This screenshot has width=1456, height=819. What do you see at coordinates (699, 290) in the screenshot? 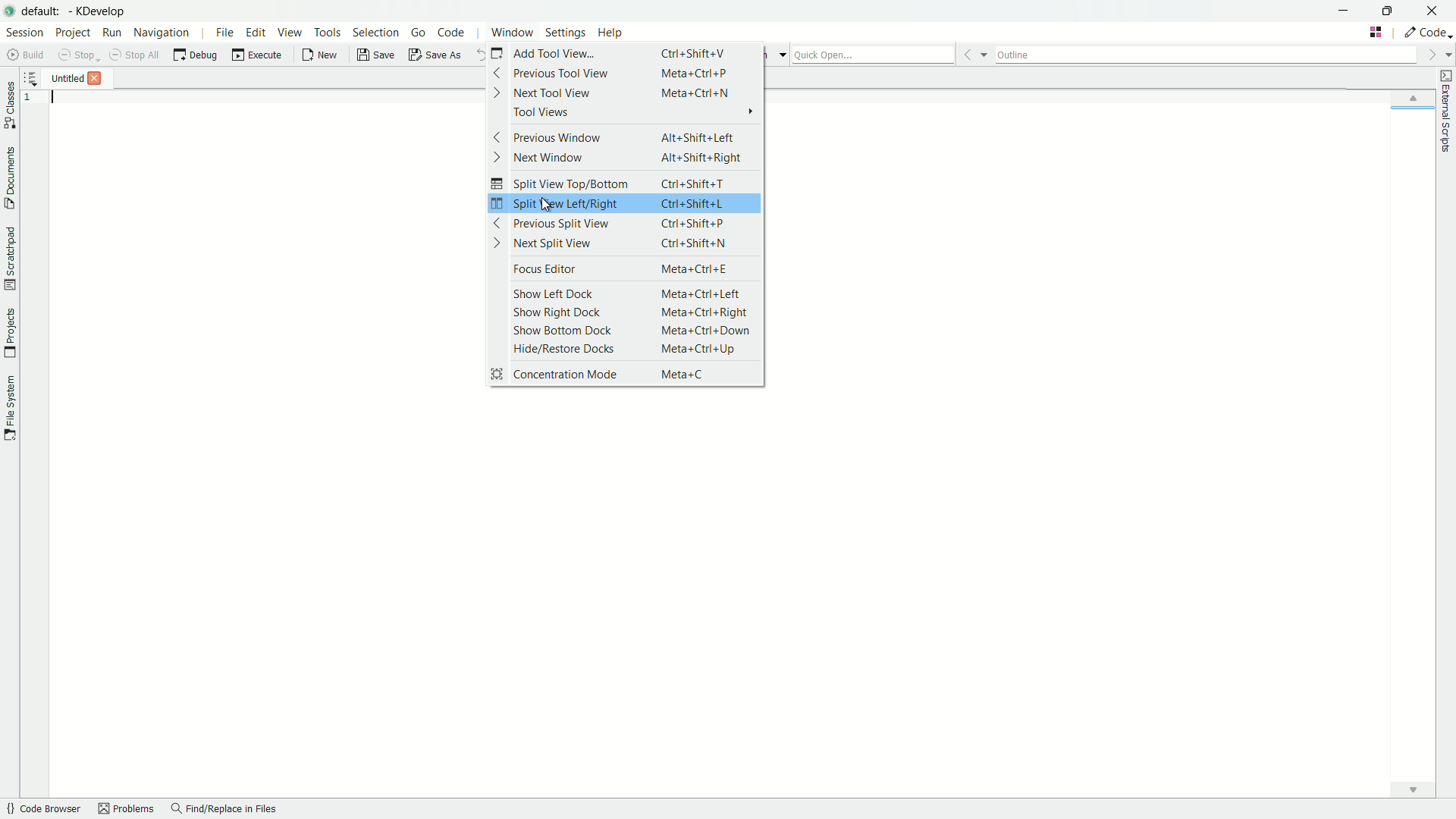
I see `Meta+Ctrl+Left` at bounding box center [699, 290].